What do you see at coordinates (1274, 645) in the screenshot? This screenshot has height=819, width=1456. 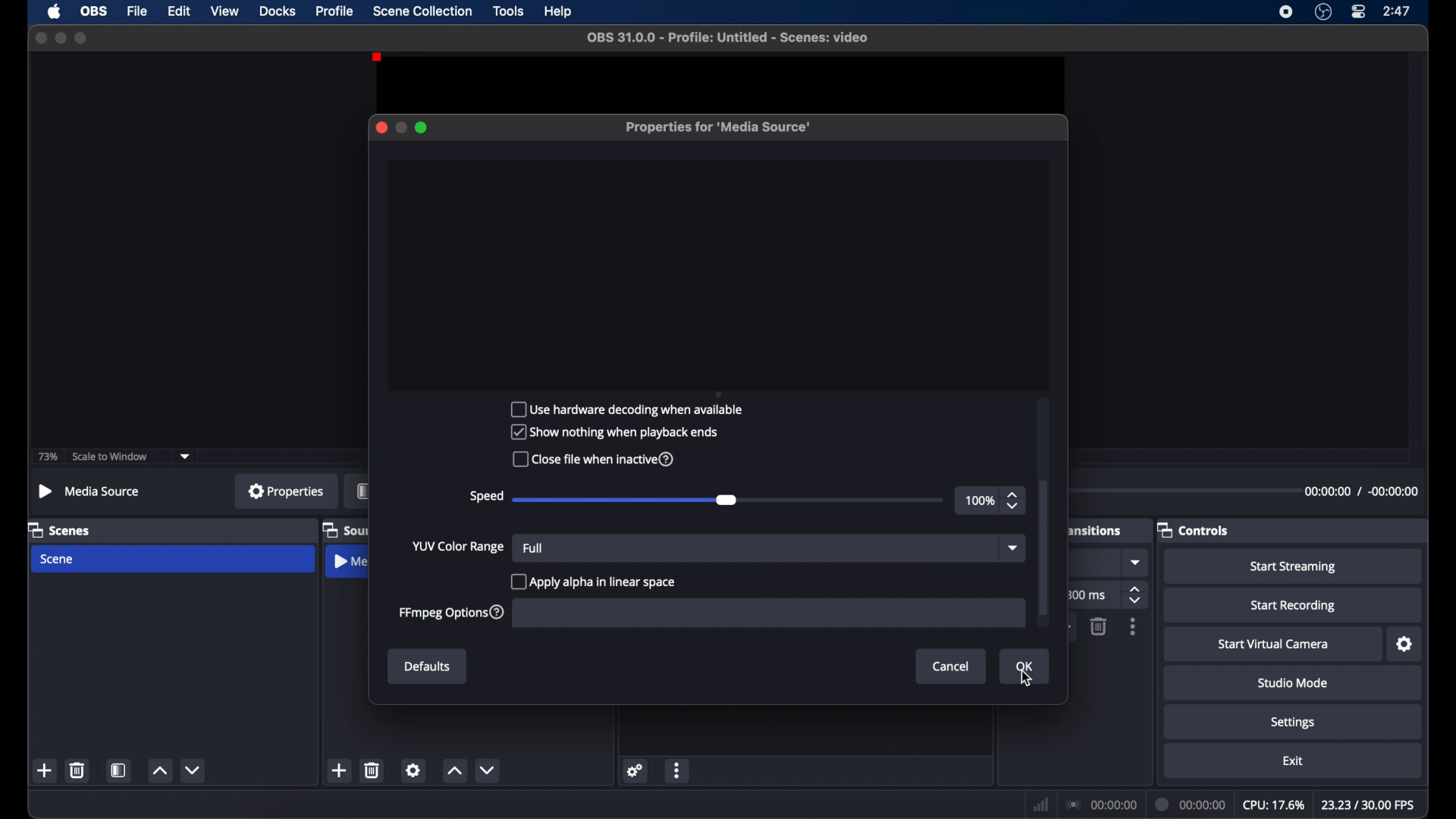 I see `start virtual camera` at bounding box center [1274, 645].